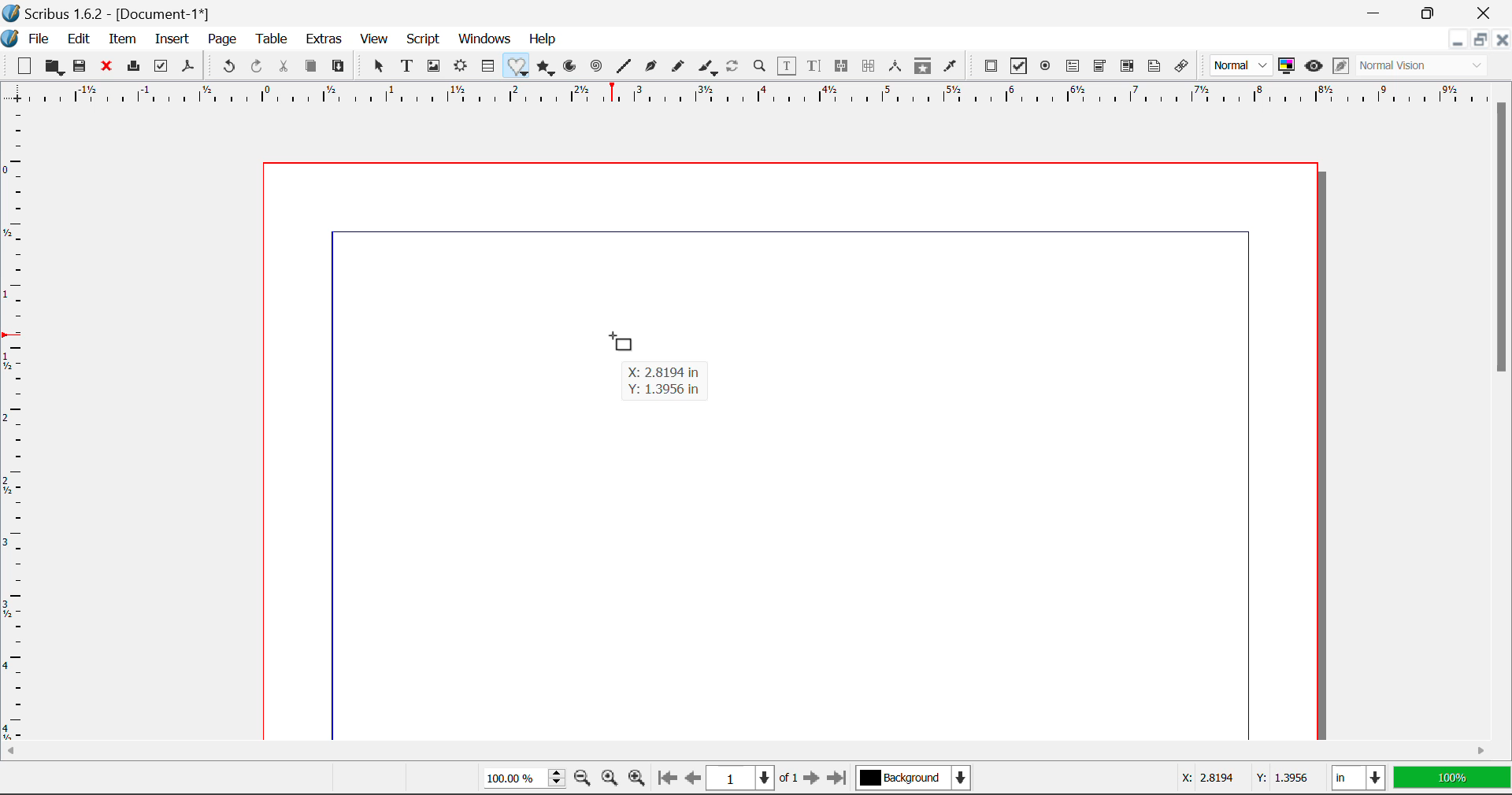  What do you see at coordinates (310, 67) in the screenshot?
I see `Copy` at bounding box center [310, 67].